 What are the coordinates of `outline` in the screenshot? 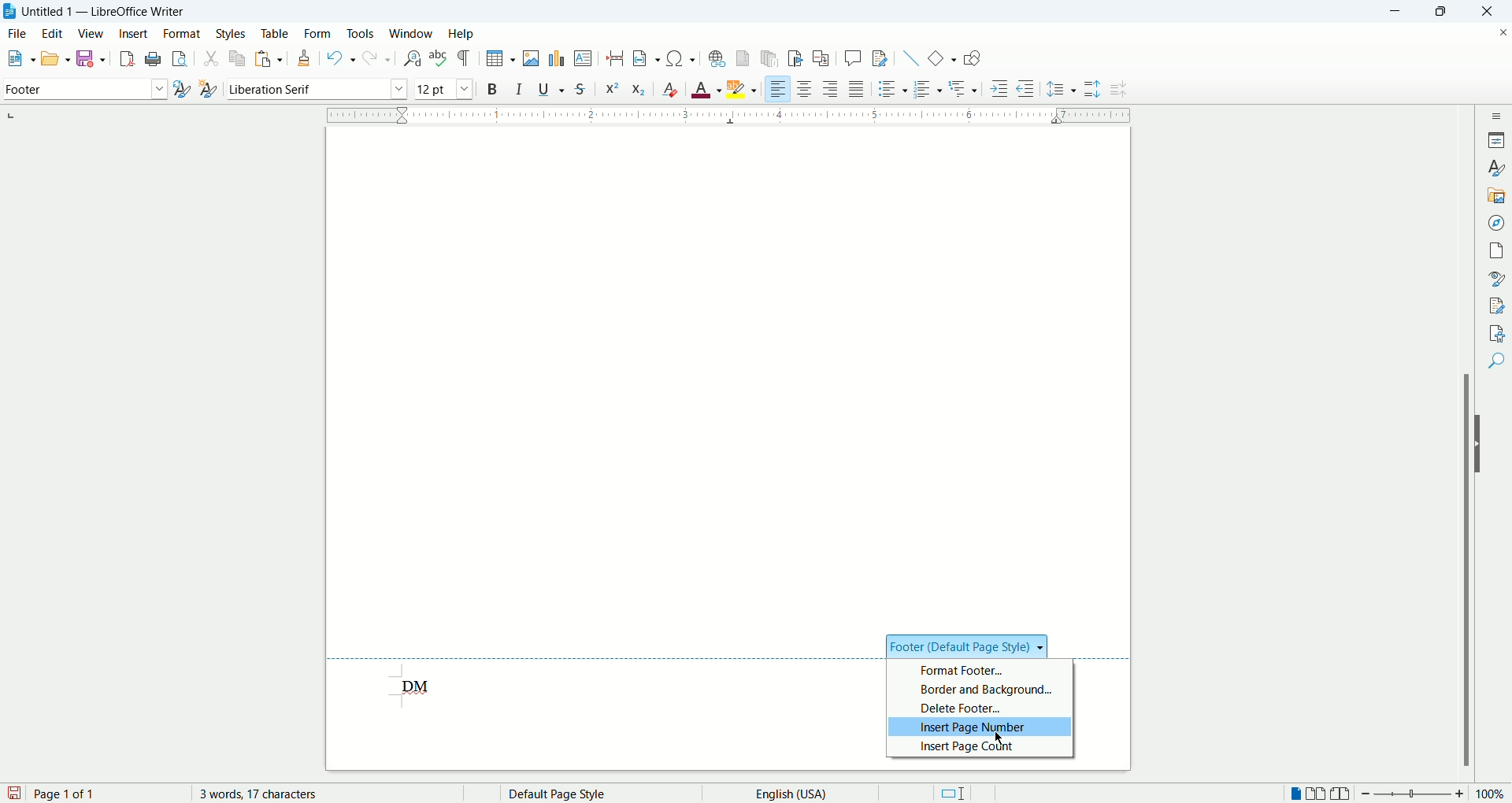 It's located at (965, 87).